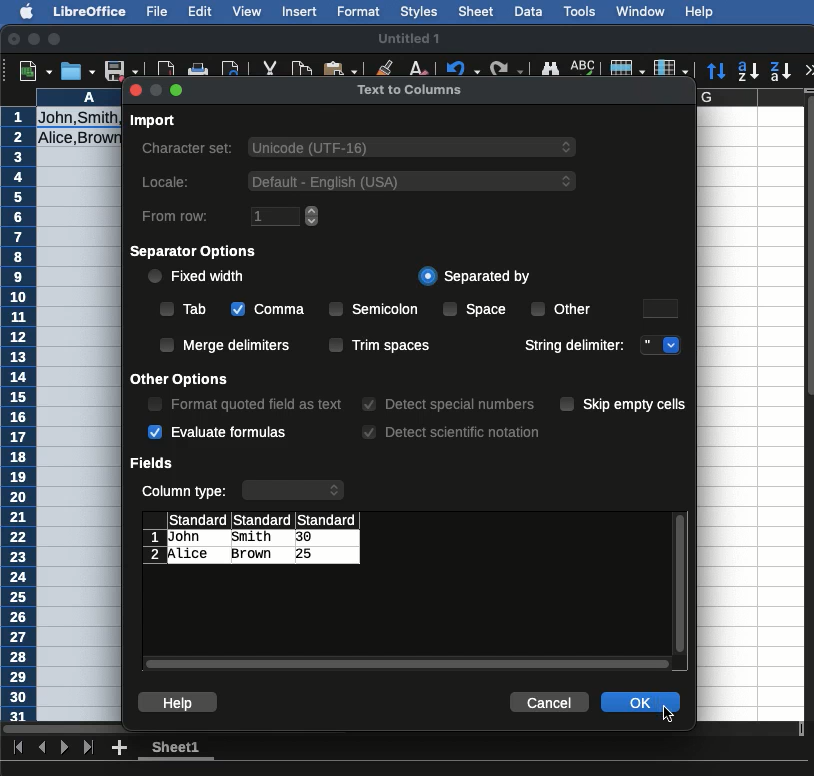 This screenshot has height=776, width=814. I want to click on Locale, so click(357, 180).